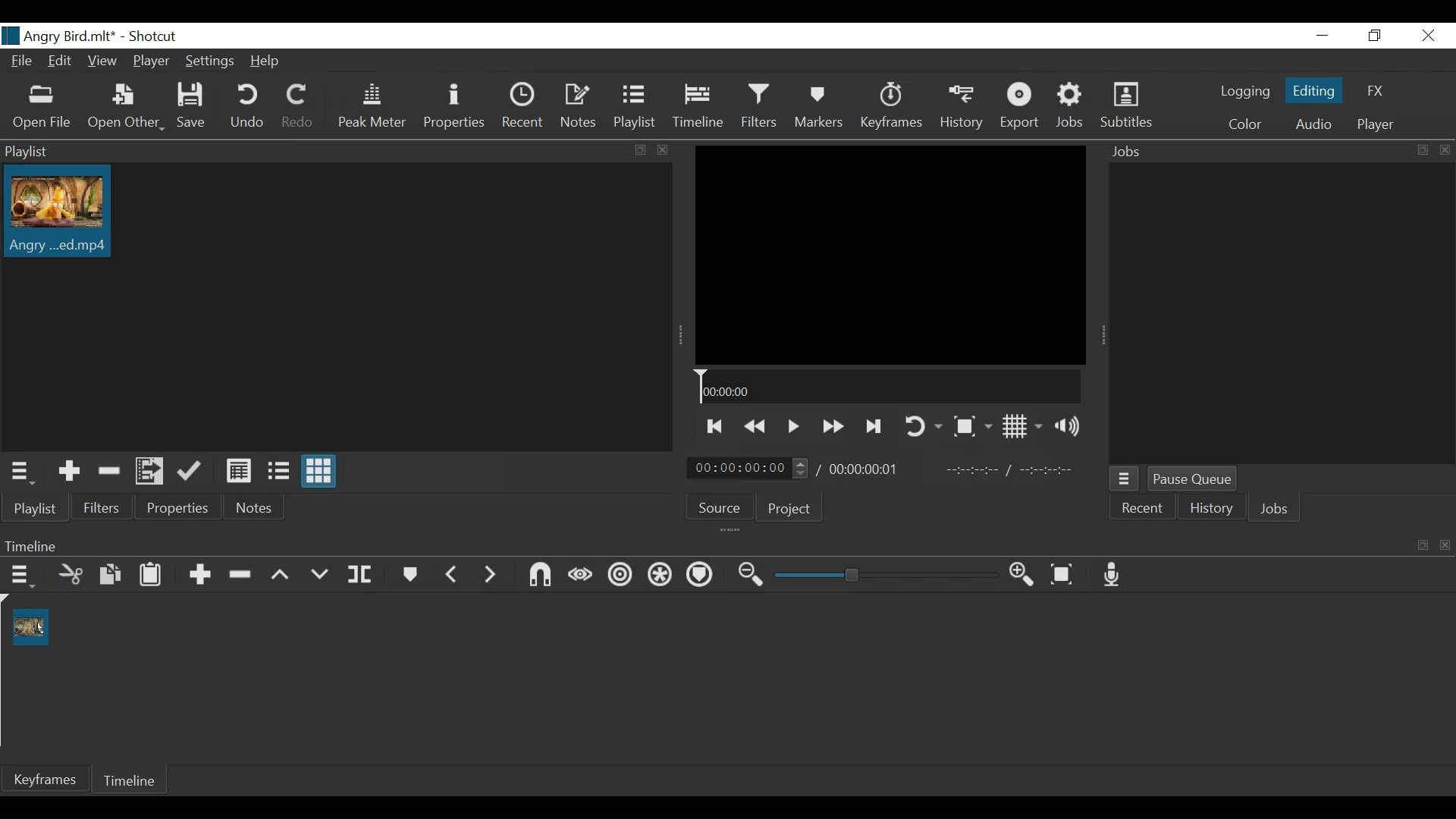  I want to click on Undo, so click(246, 106).